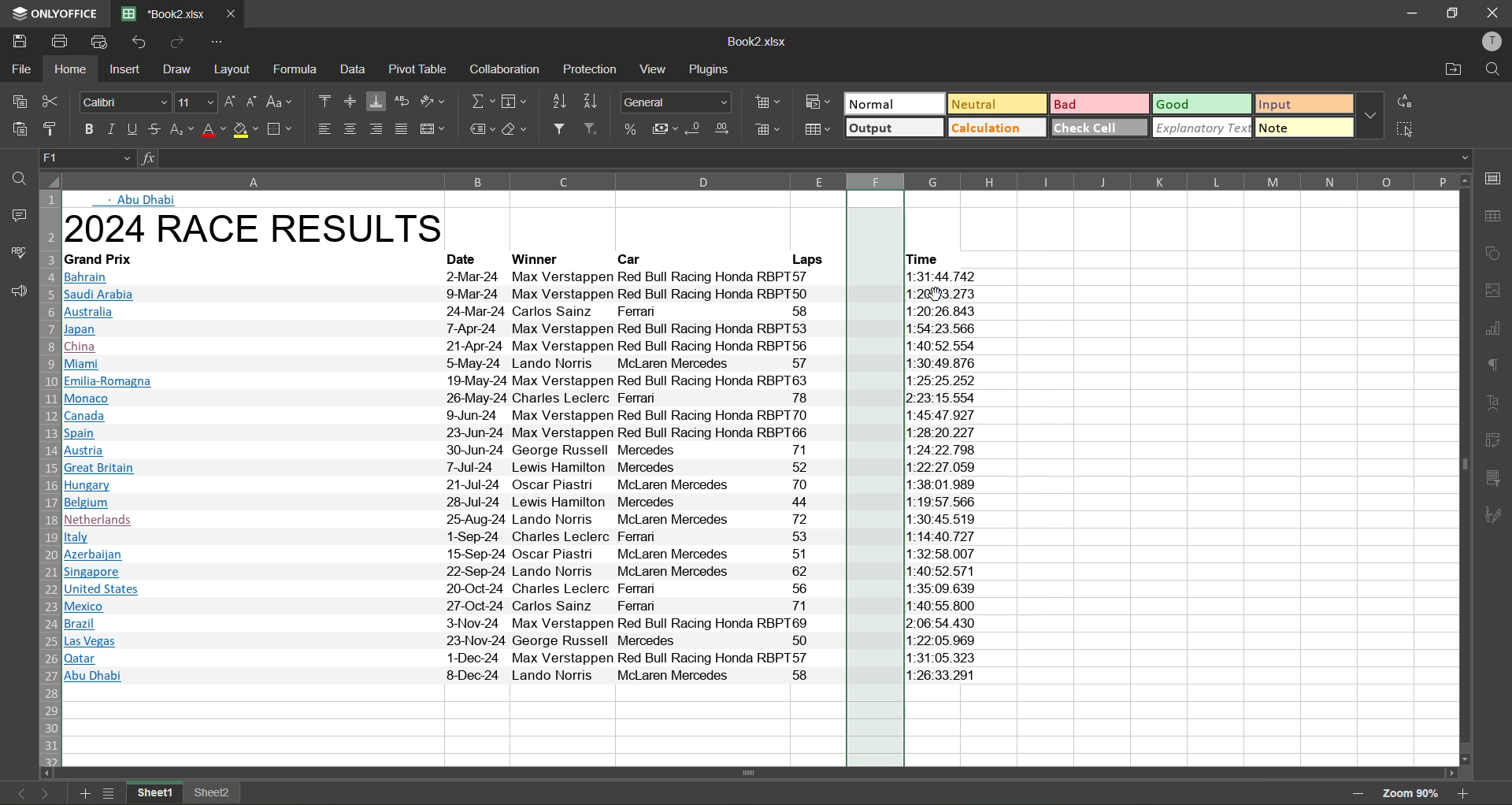 Image resolution: width=1512 pixels, height=805 pixels. What do you see at coordinates (709, 69) in the screenshot?
I see `plugins` at bounding box center [709, 69].